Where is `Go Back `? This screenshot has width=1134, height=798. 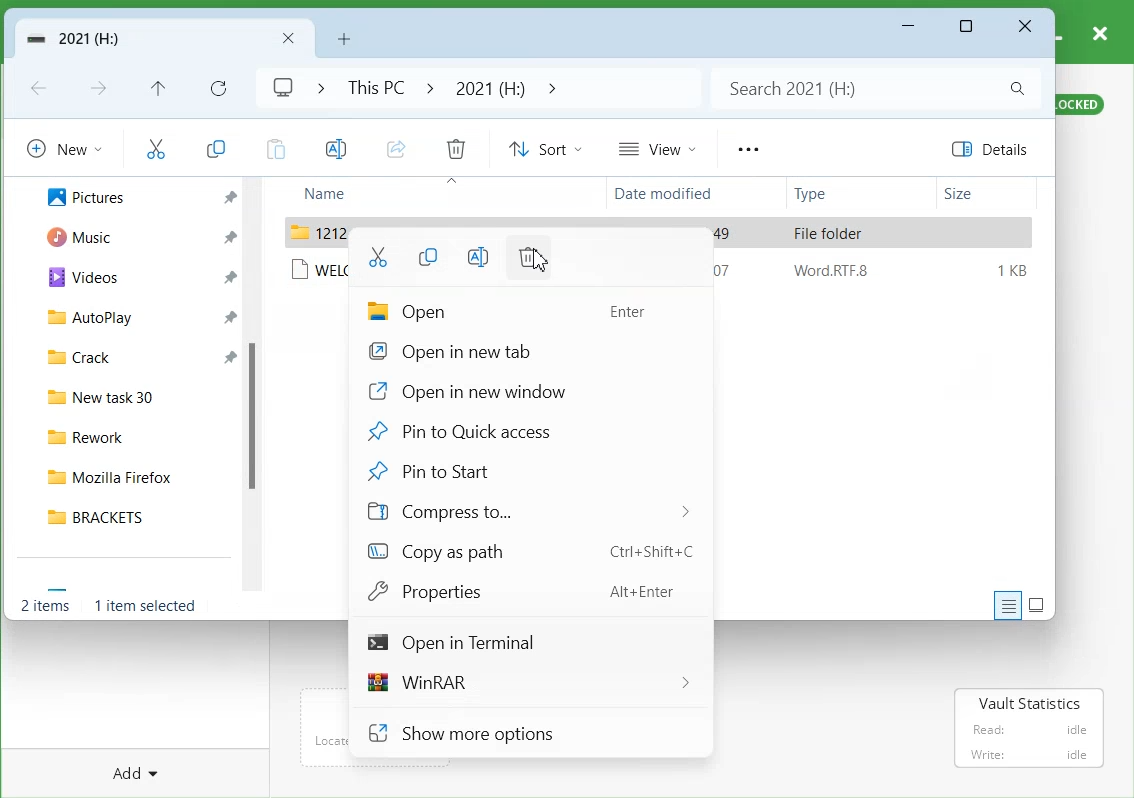
Go Back  is located at coordinates (41, 89).